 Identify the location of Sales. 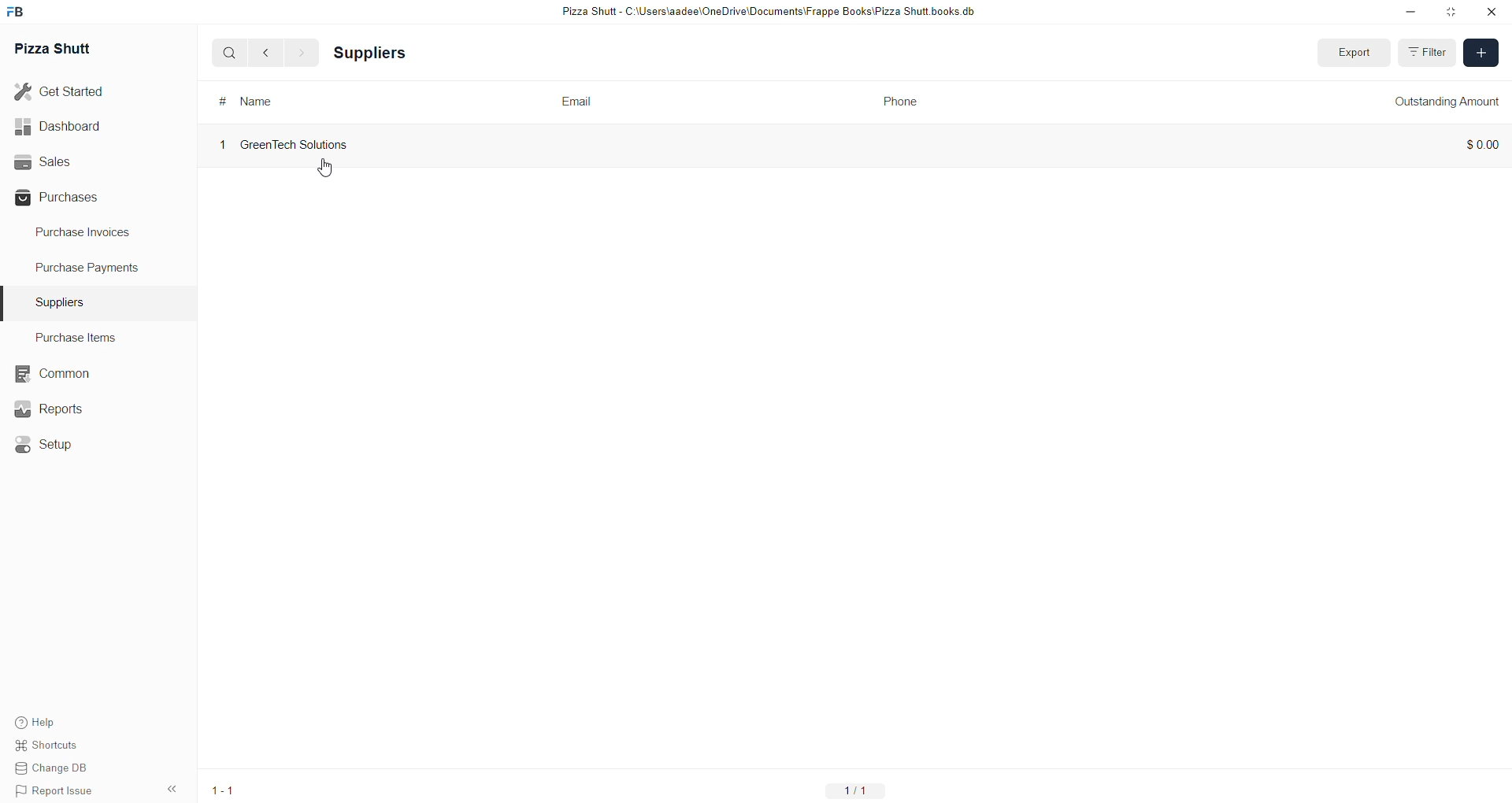
(76, 161).